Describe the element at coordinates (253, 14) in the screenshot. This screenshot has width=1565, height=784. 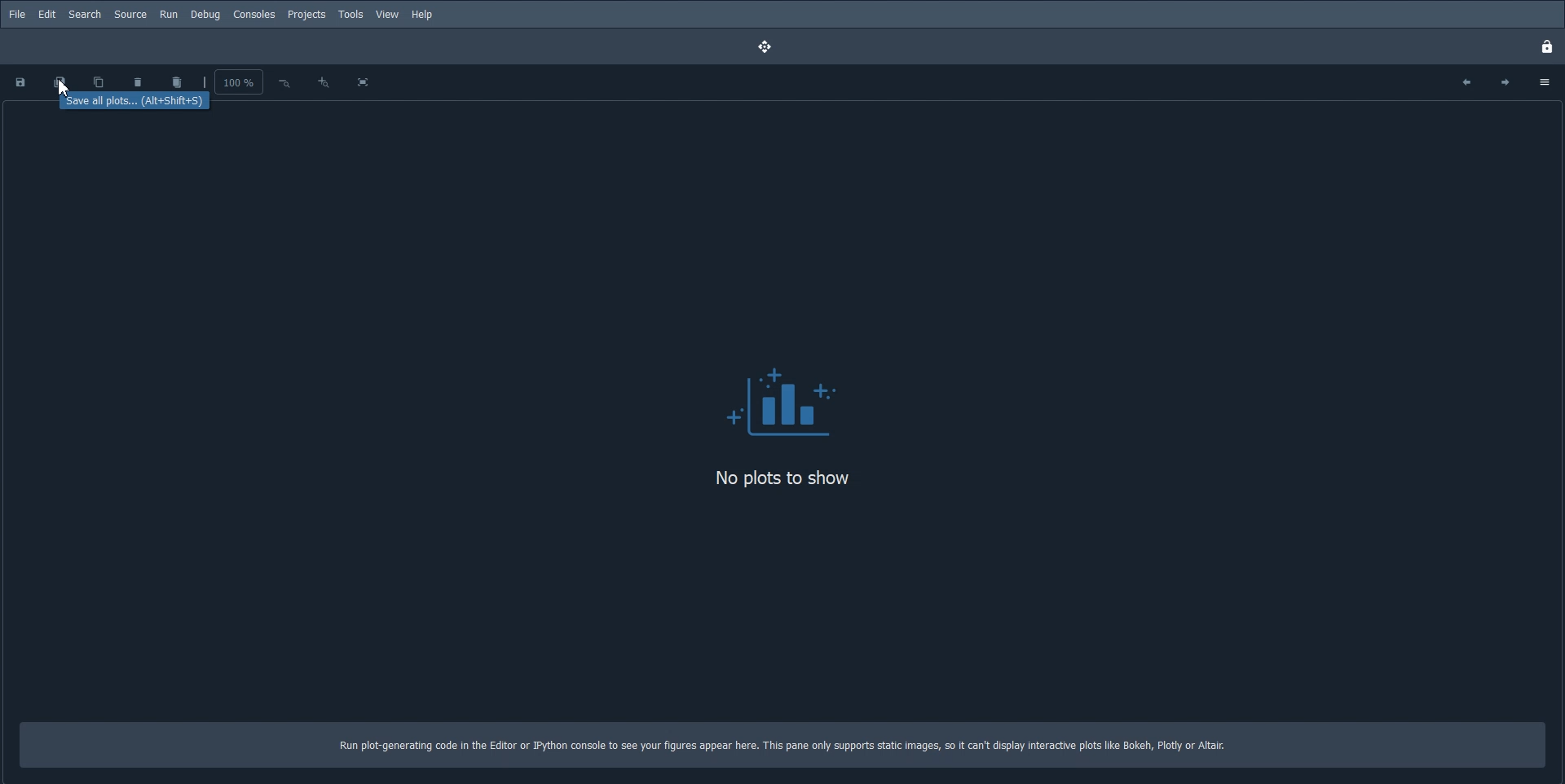
I see `Consoles` at that location.